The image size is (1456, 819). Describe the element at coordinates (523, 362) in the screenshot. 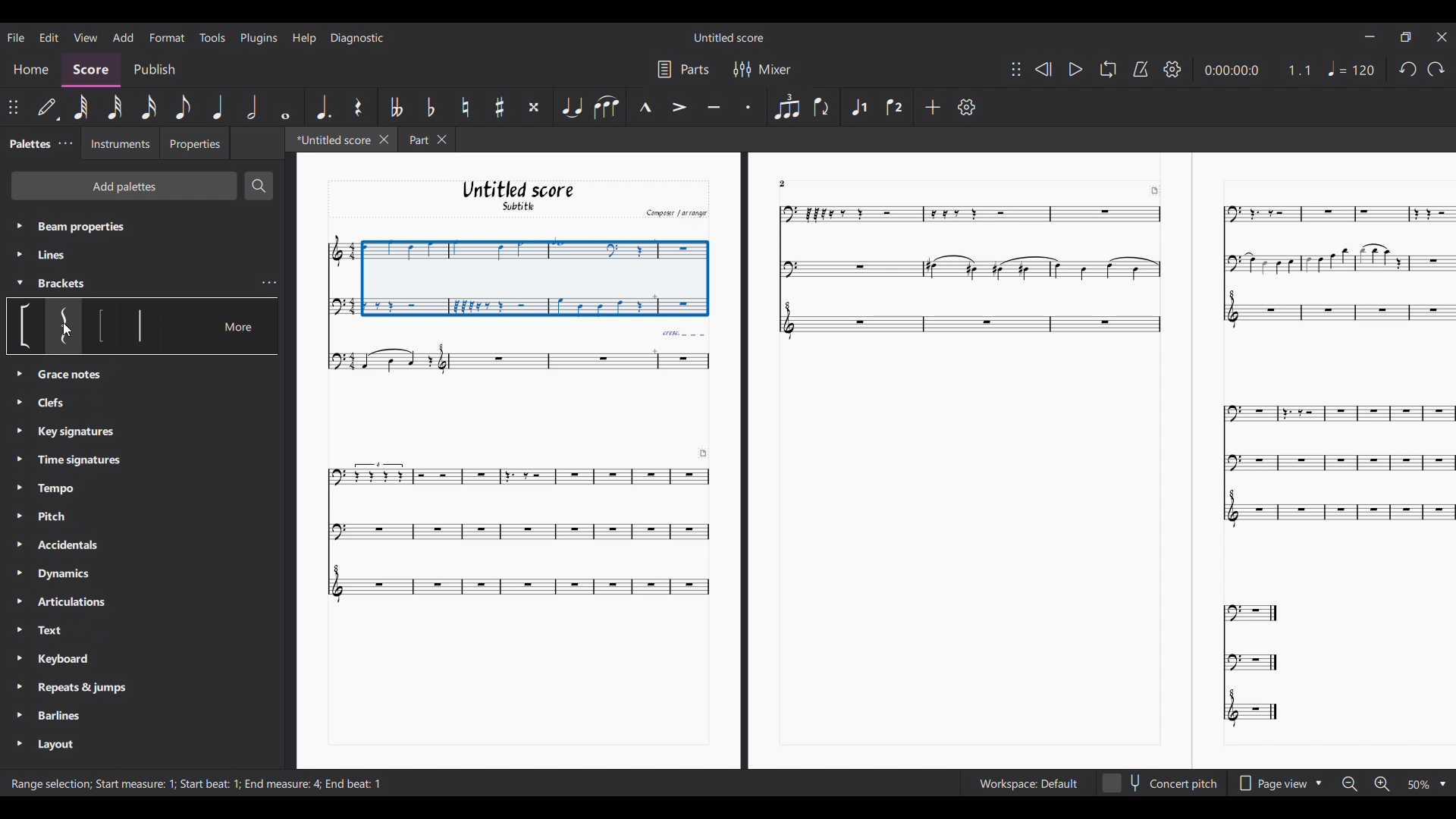

I see `` at that location.